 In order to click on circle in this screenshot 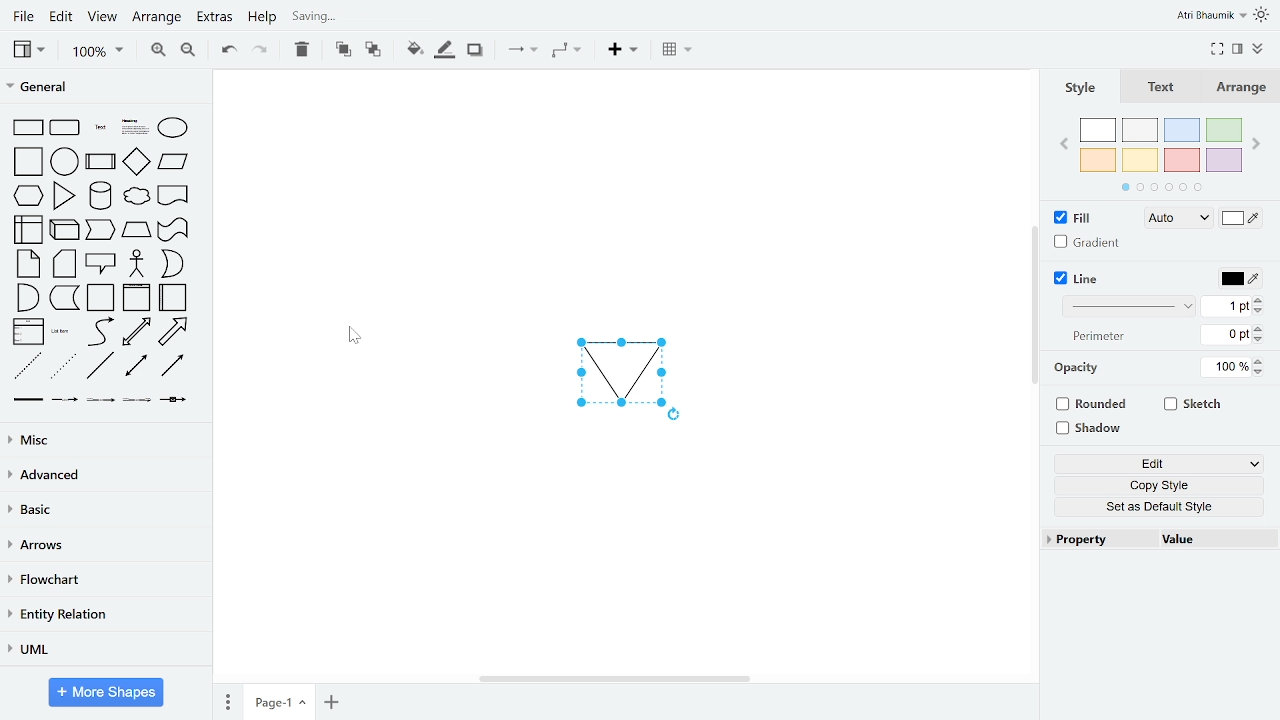, I will do `click(65, 161)`.